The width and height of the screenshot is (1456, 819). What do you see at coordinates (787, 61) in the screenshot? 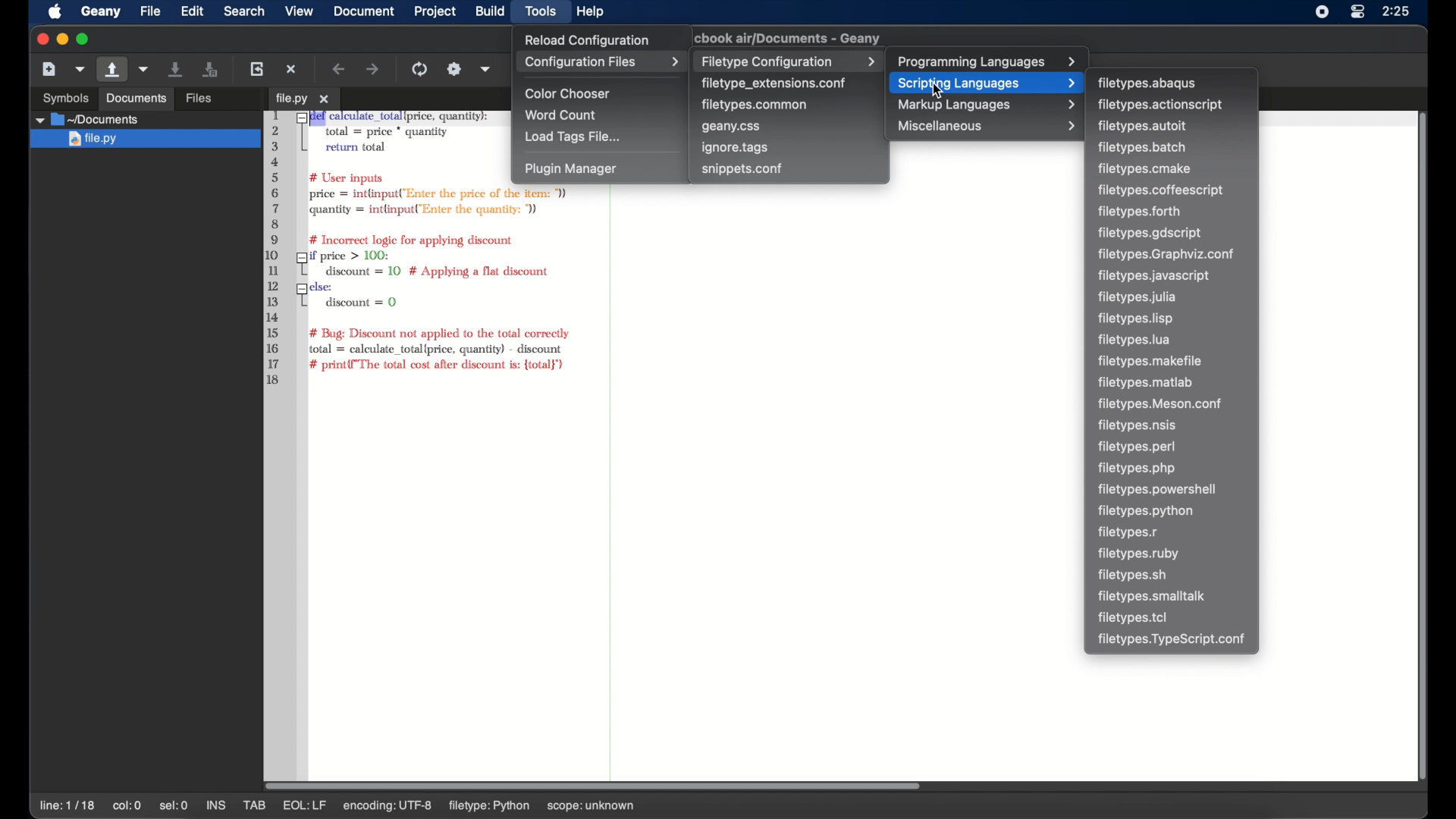
I see `filetype configuration menu` at bounding box center [787, 61].